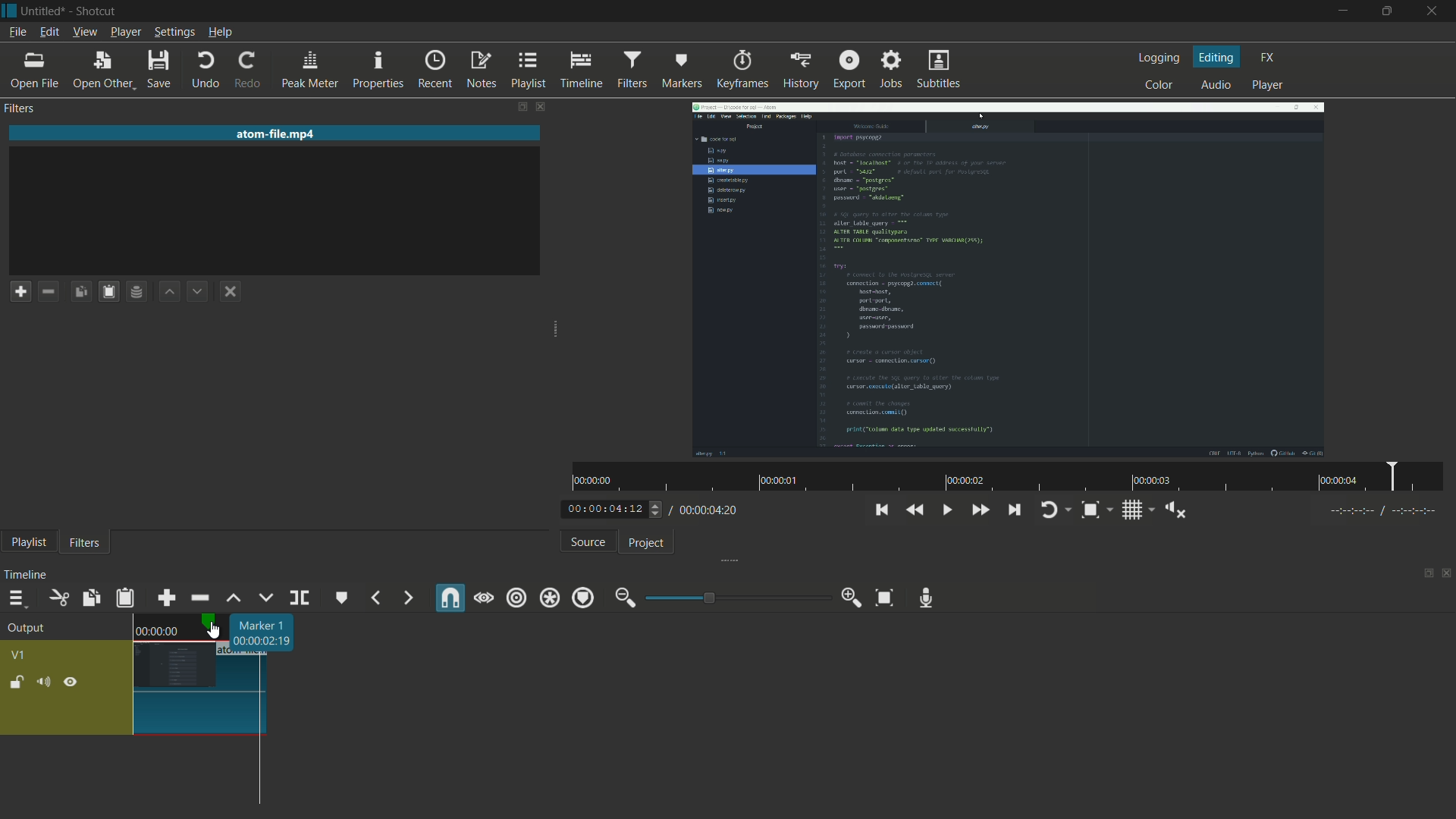 This screenshot has width=1456, height=819. Describe the element at coordinates (517, 598) in the screenshot. I see `ripple` at that location.